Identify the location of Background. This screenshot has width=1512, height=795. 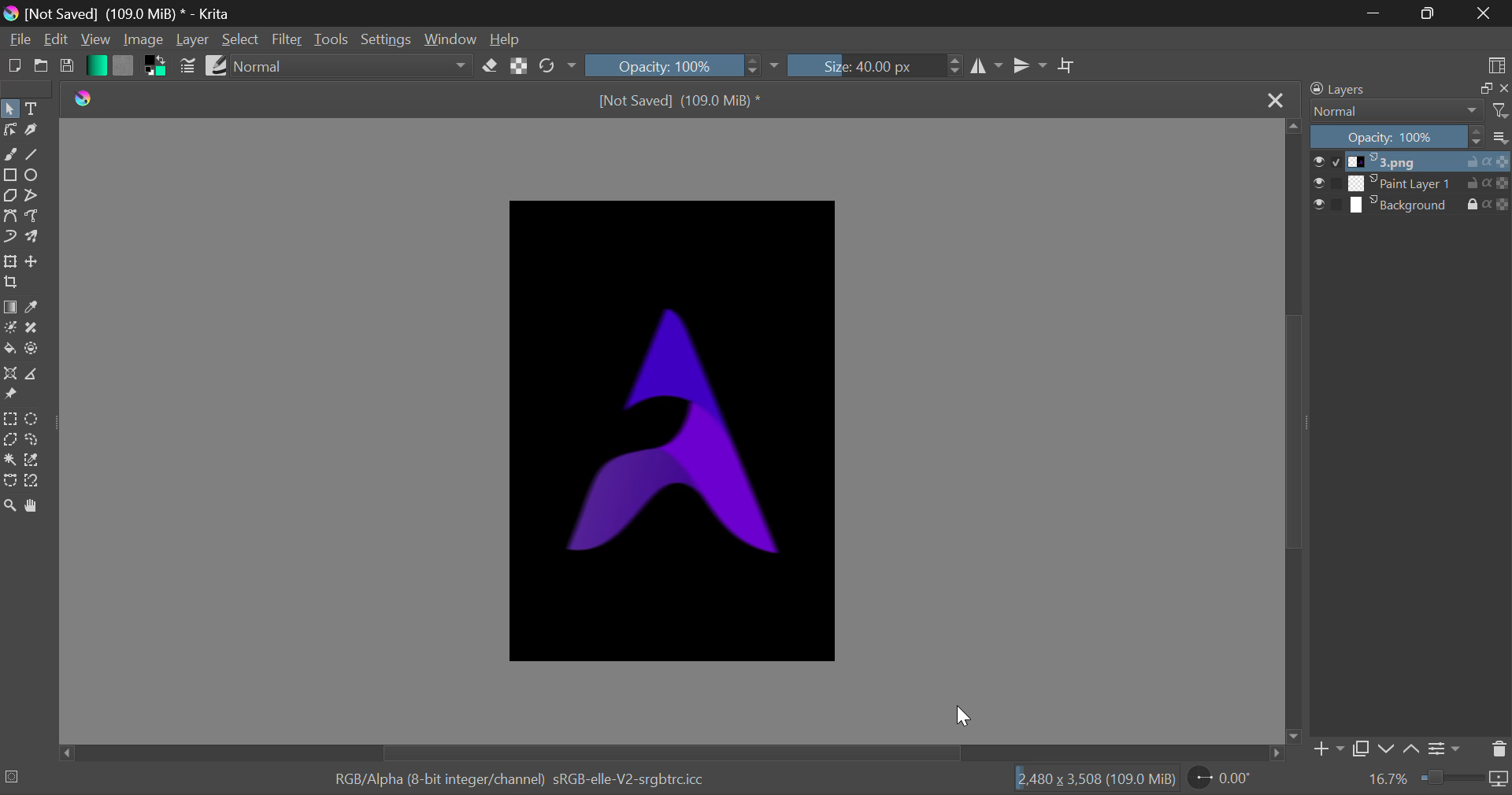
(1411, 205).